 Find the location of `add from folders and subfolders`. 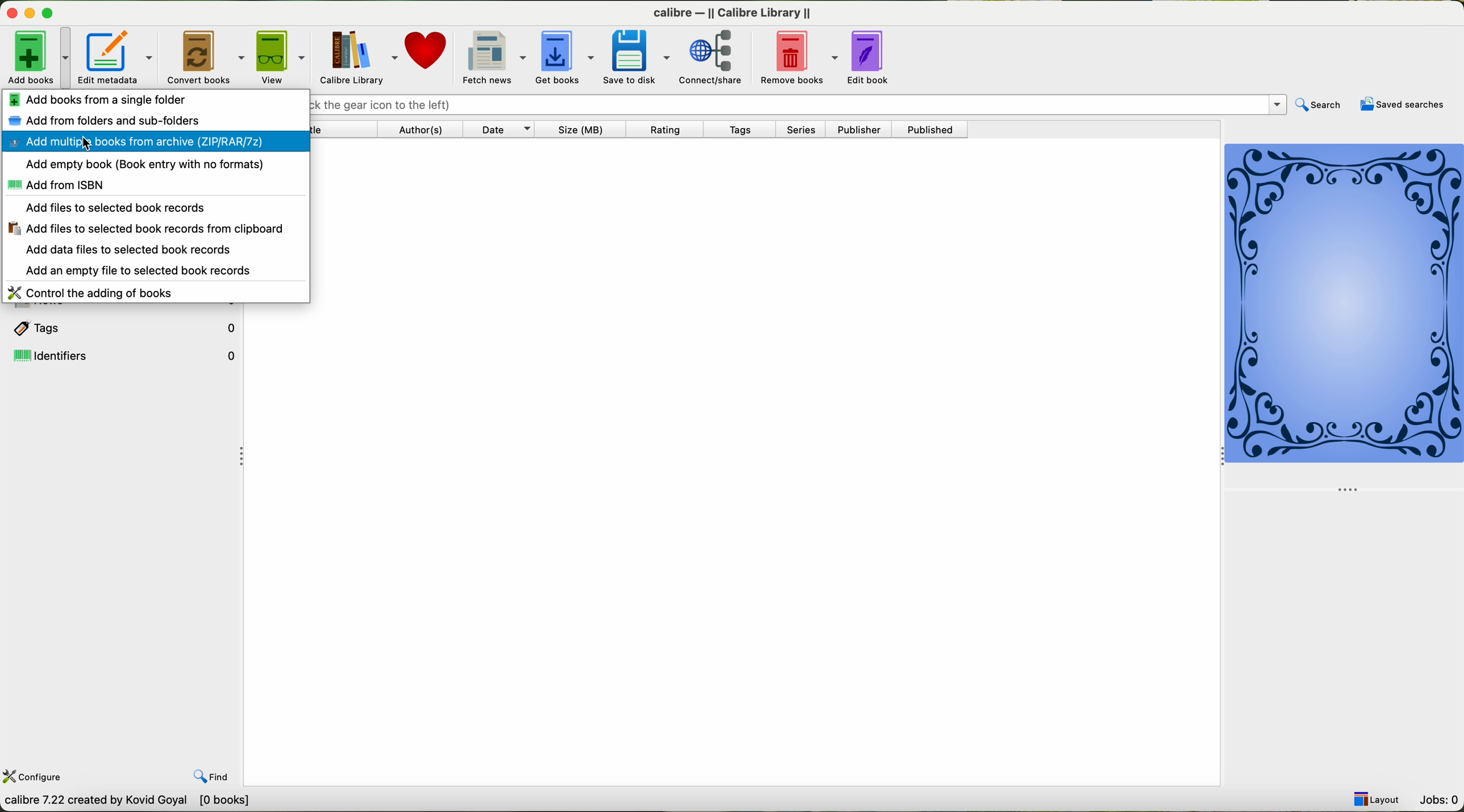

add from folders and subfolders is located at coordinates (108, 120).